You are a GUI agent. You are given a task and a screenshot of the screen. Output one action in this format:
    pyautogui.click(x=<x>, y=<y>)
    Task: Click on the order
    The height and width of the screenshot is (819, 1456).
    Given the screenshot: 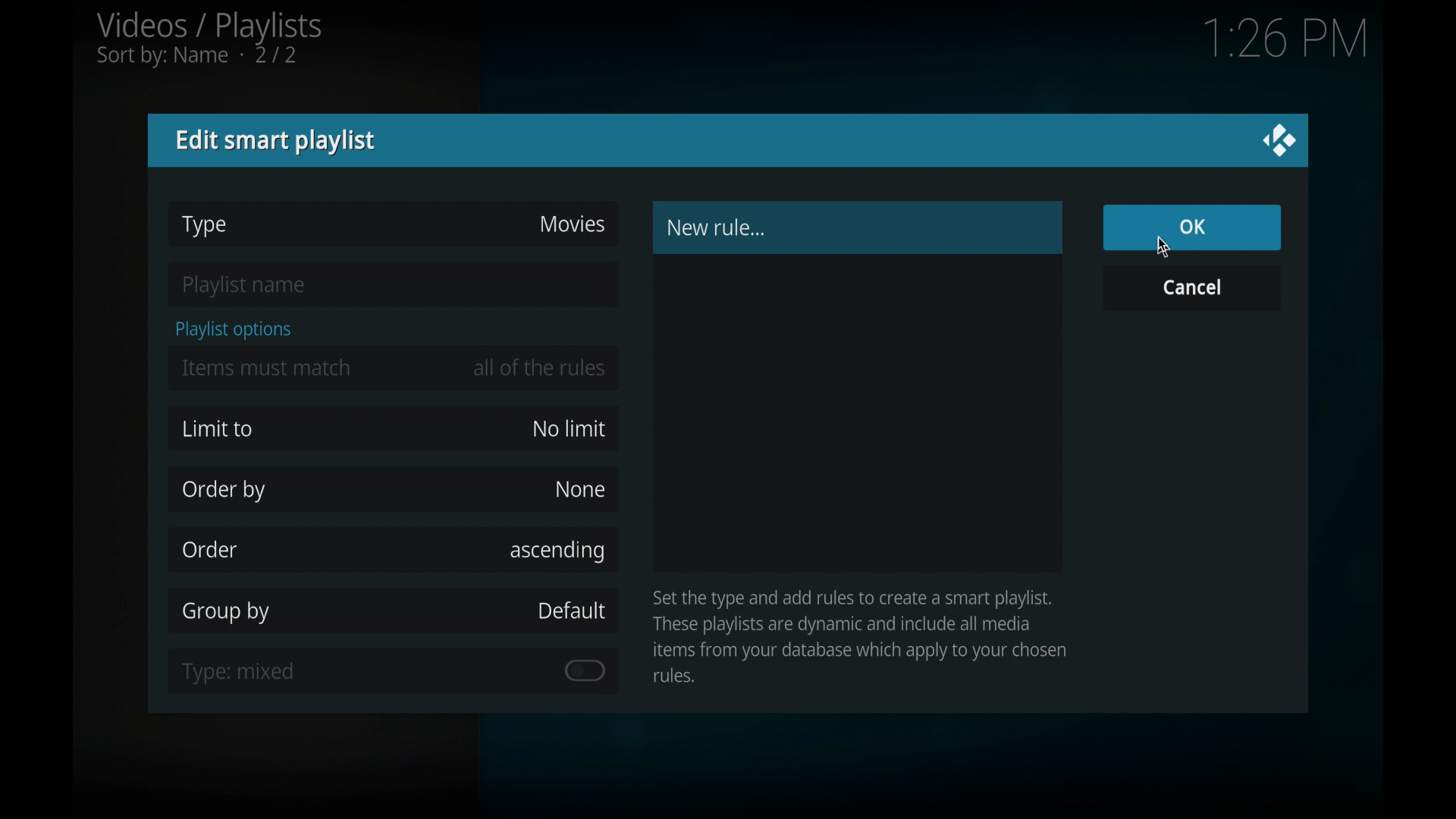 What is the action you would take?
    pyautogui.click(x=210, y=550)
    